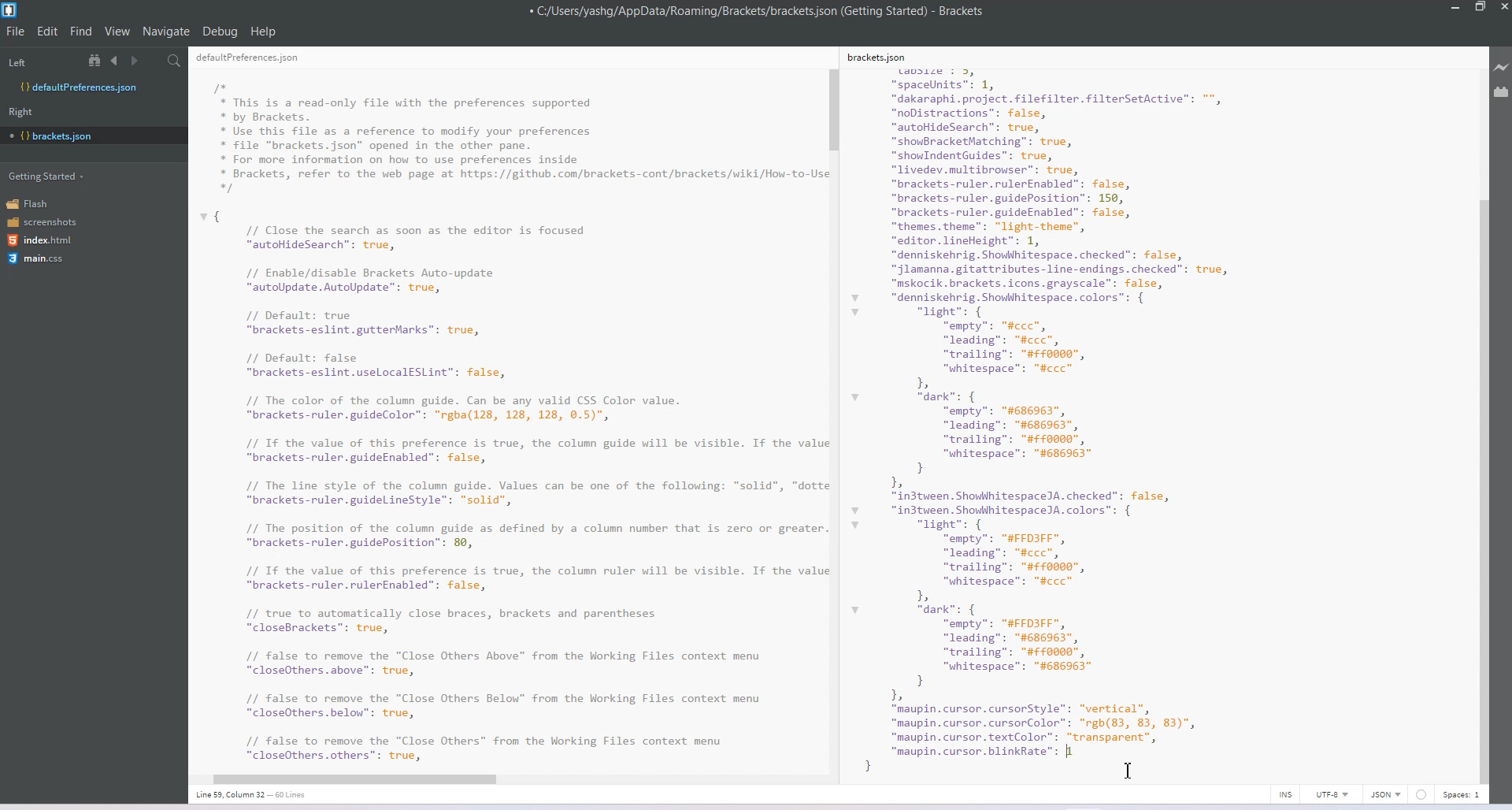  What do you see at coordinates (1285, 794) in the screenshot?
I see `INS` at bounding box center [1285, 794].